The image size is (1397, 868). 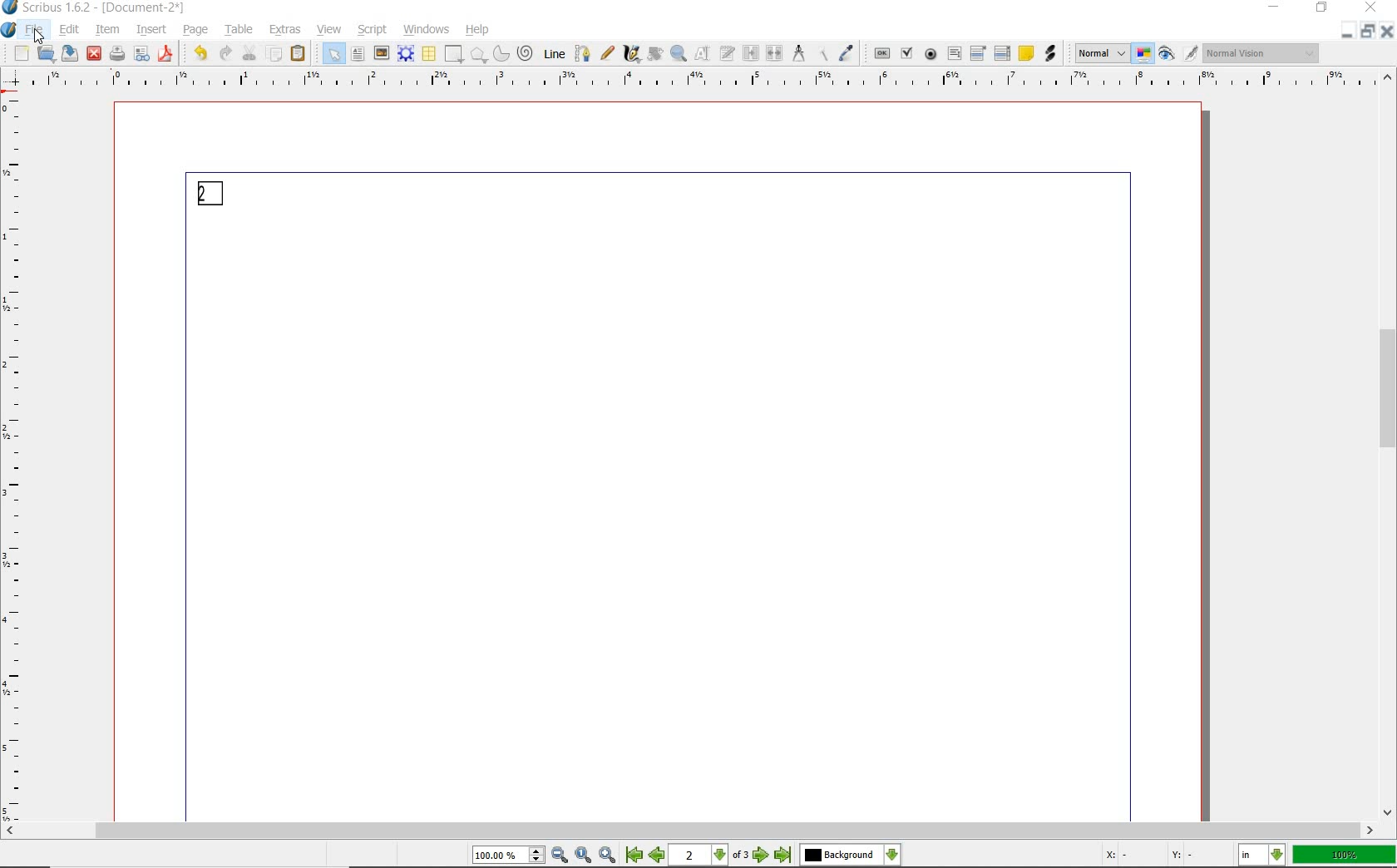 I want to click on windows, so click(x=427, y=28).